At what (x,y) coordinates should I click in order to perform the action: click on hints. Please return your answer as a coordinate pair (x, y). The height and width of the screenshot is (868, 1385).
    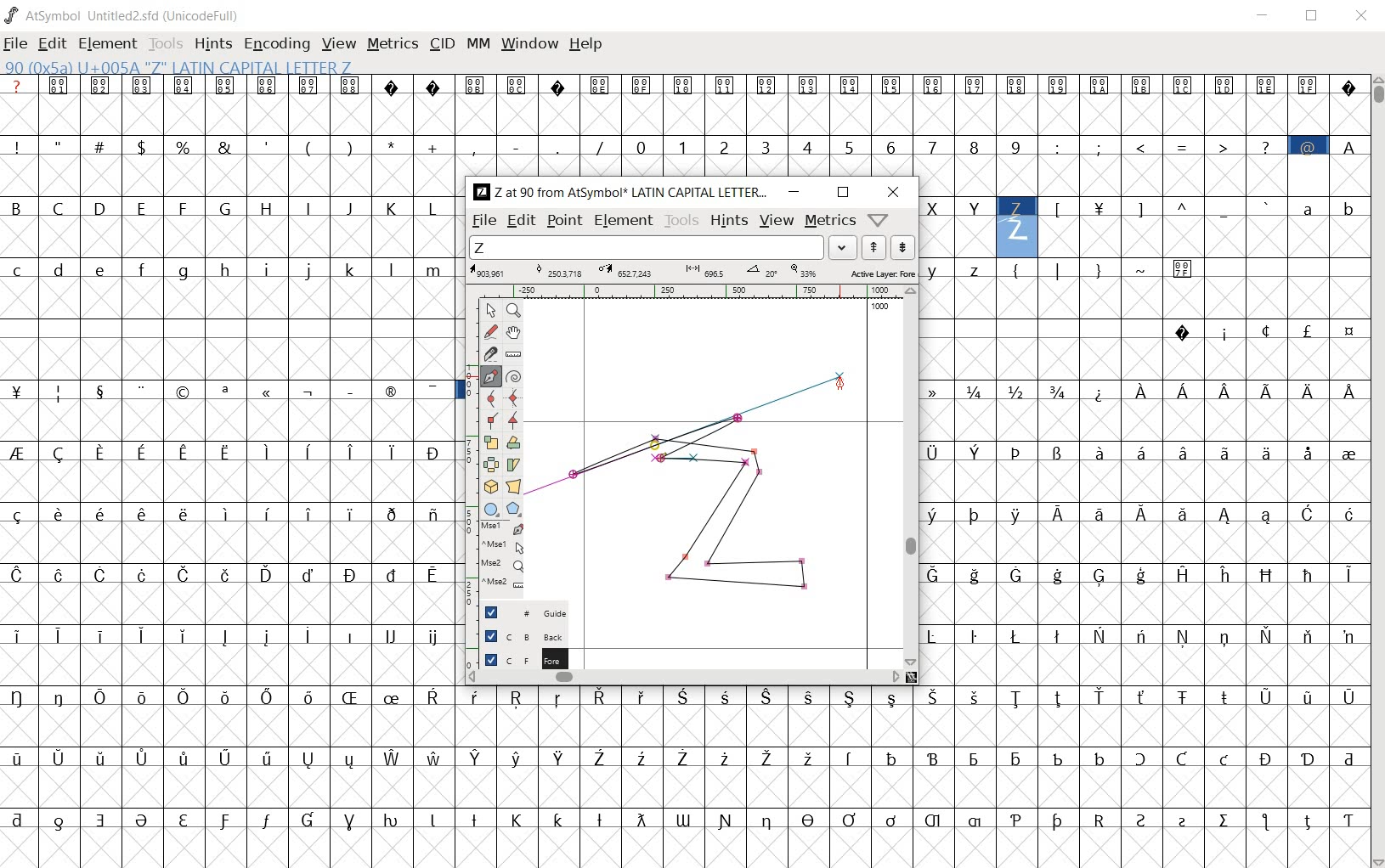
    Looking at the image, I should click on (728, 222).